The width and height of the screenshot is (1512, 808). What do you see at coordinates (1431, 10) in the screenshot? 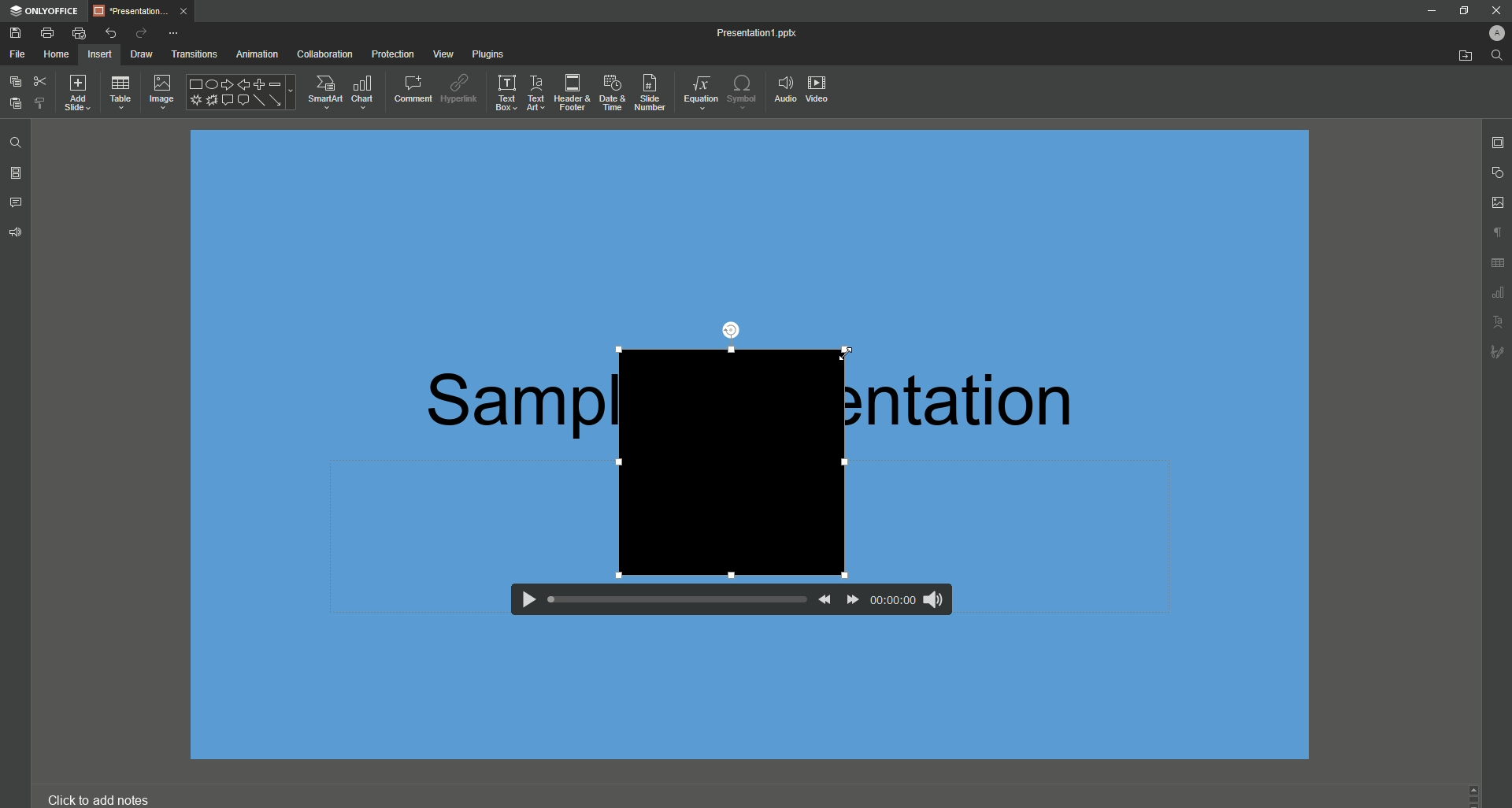
I see `Minimize` at bounding box center [1431, 10].